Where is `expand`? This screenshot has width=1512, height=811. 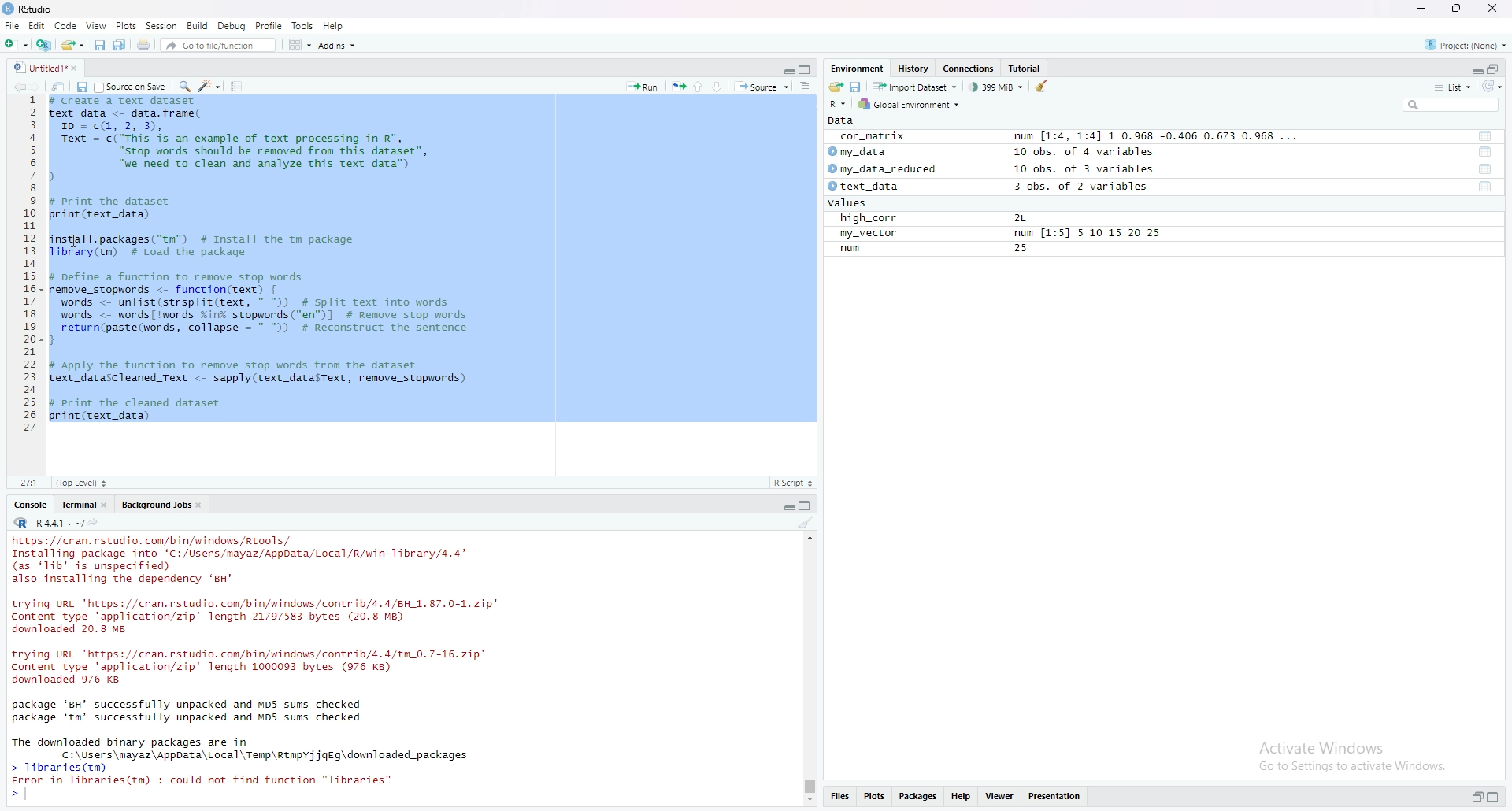
expand is located at coordinates (1475, 69).